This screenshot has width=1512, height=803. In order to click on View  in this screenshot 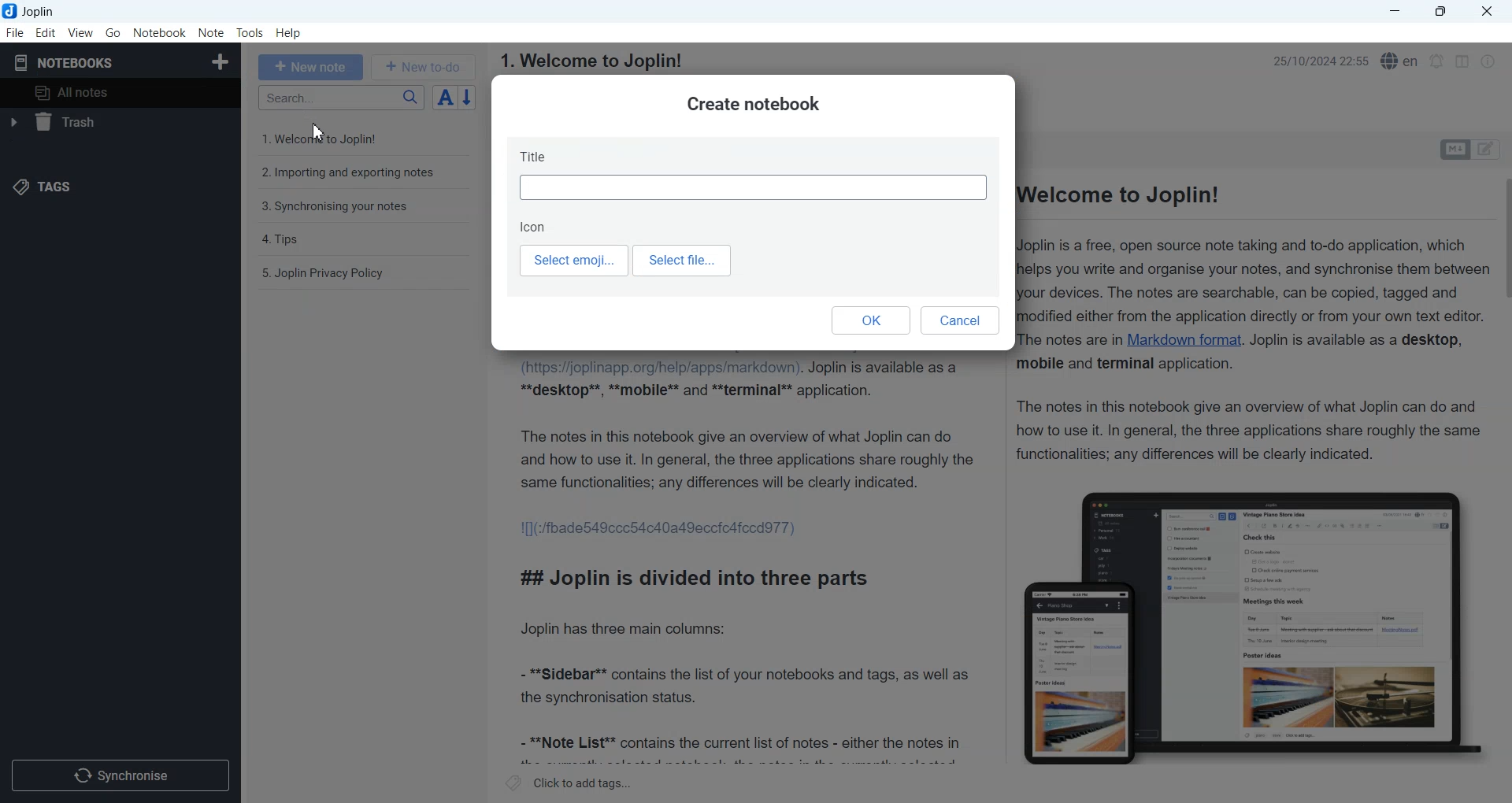, I will do `click(80, 32)`.